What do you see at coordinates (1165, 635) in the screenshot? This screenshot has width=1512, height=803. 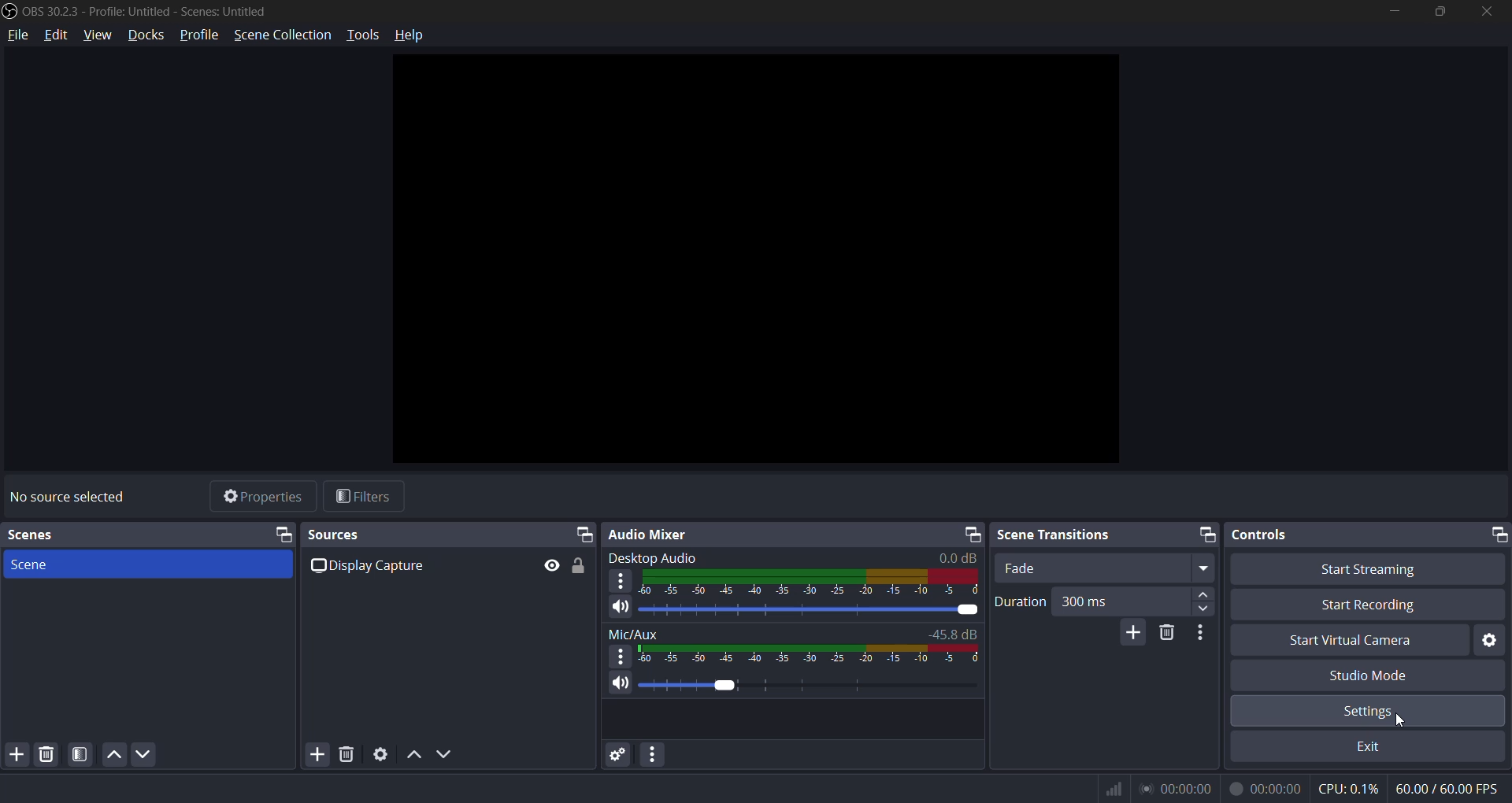 I see `remove configurable transition` at bounding box center [1165, 635].